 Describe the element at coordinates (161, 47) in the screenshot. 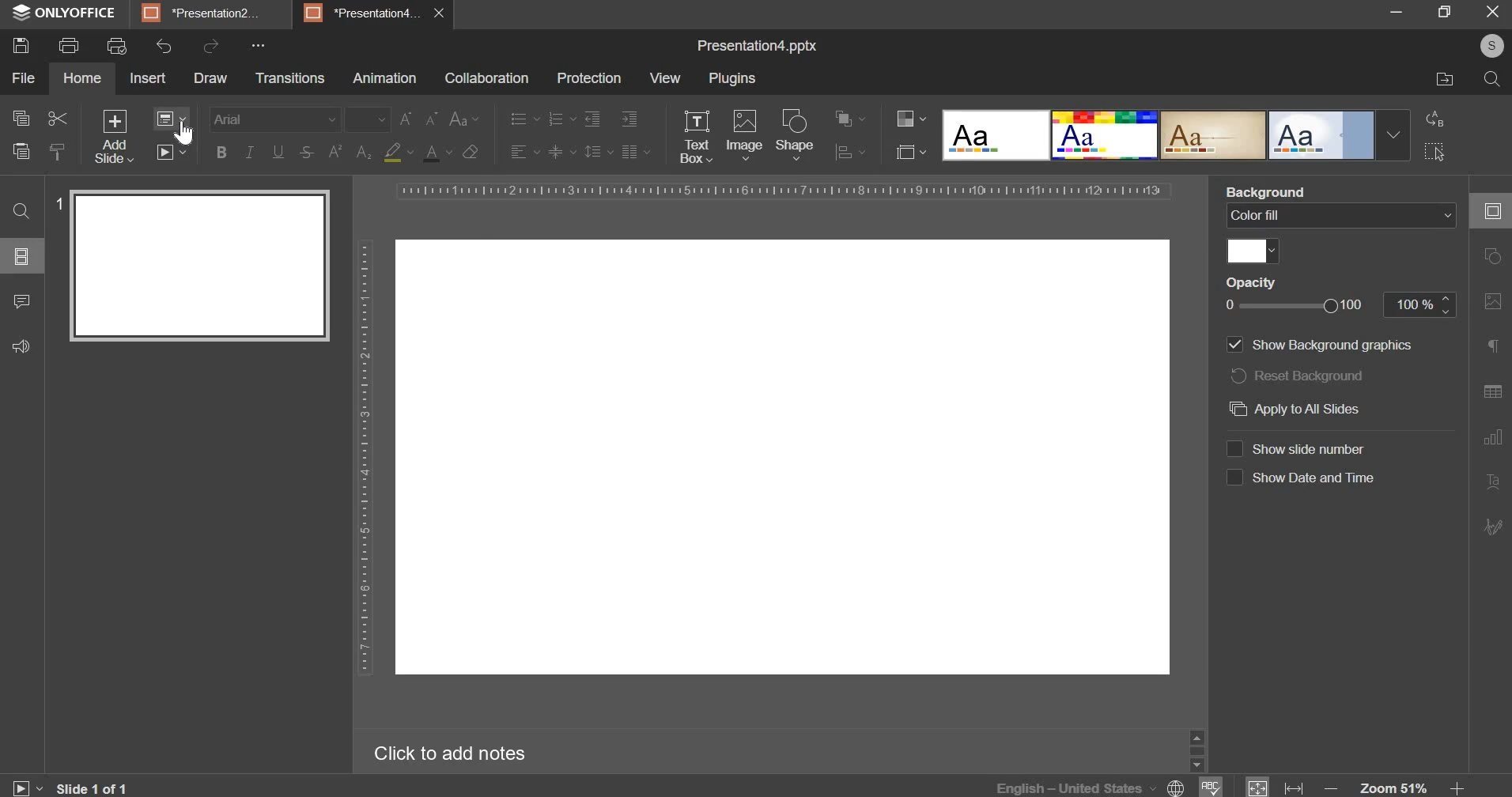

I see `undo` at that location.